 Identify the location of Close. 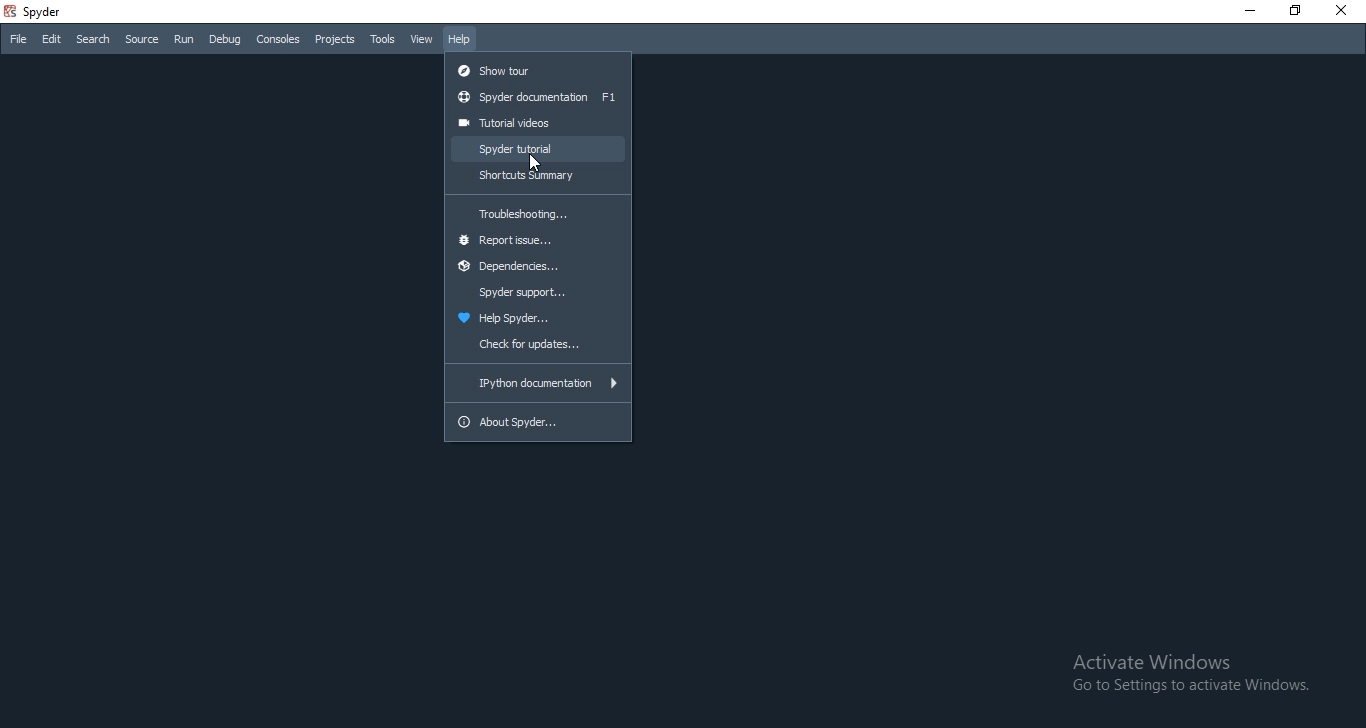
(1346, 12).